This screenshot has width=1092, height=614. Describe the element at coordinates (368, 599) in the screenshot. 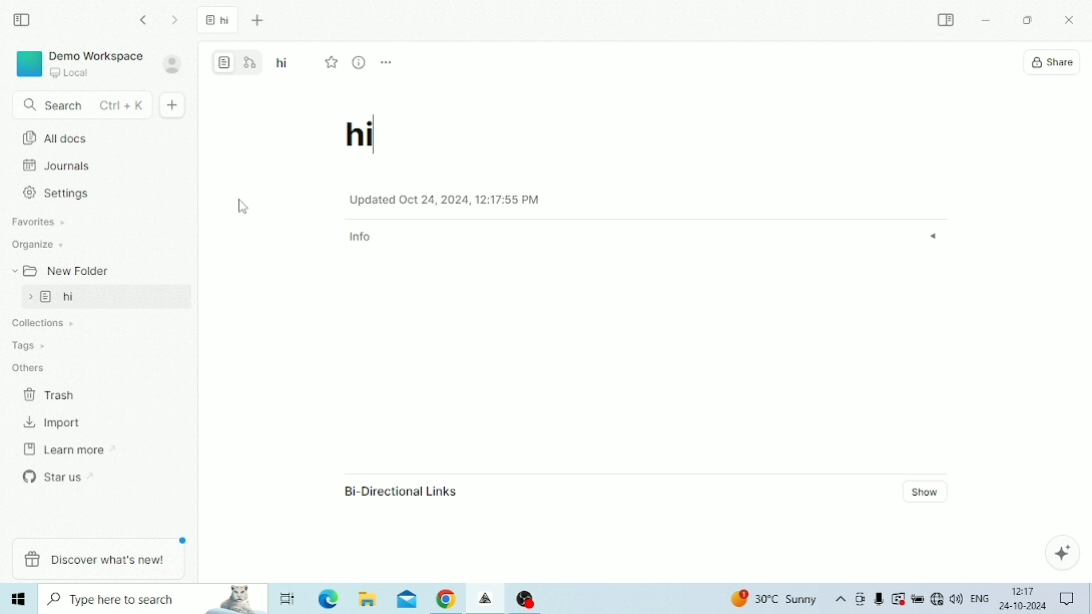

I see `File Explorer` at that location.